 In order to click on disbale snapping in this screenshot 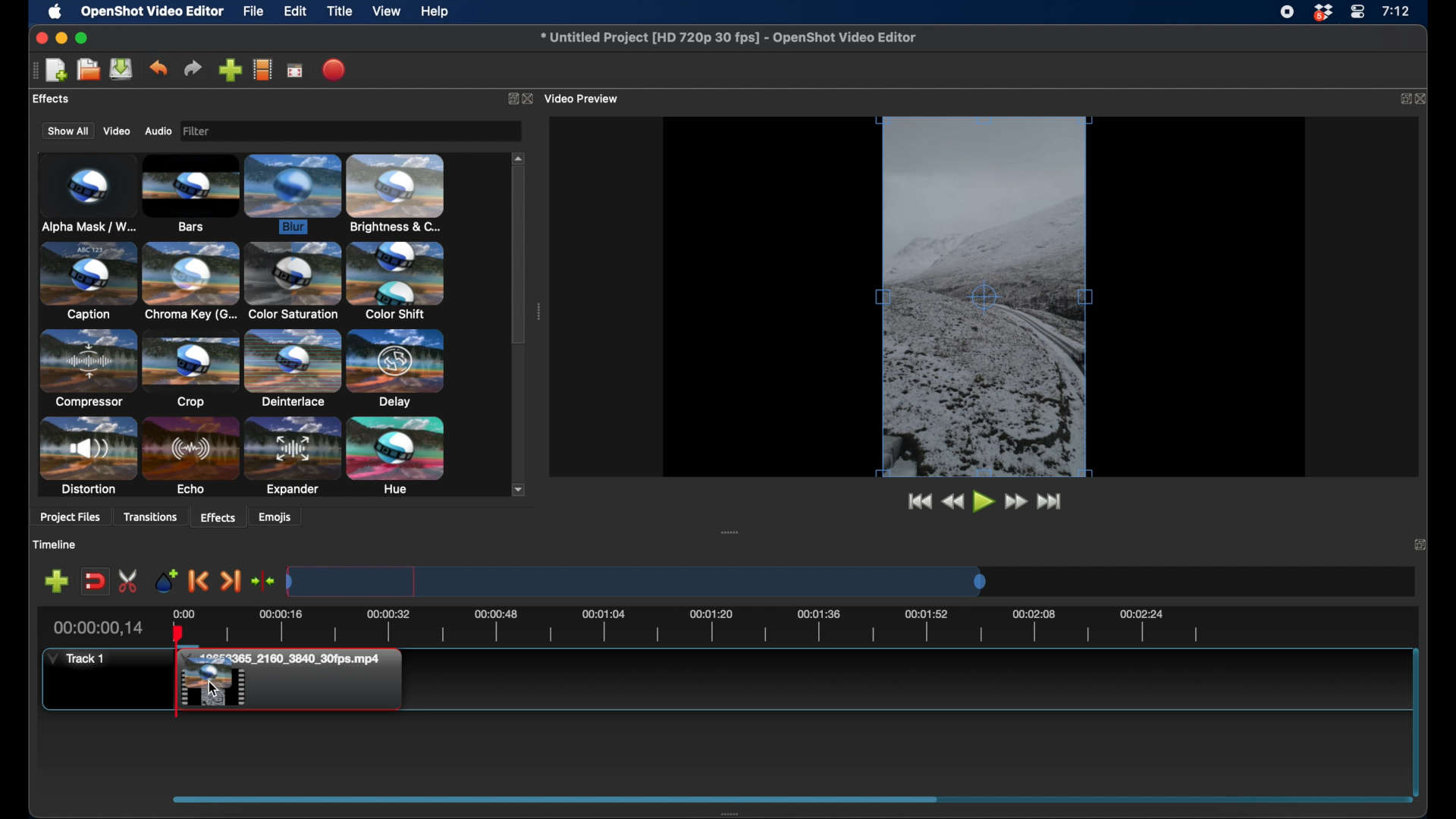, I will do `click(96, 580)`.